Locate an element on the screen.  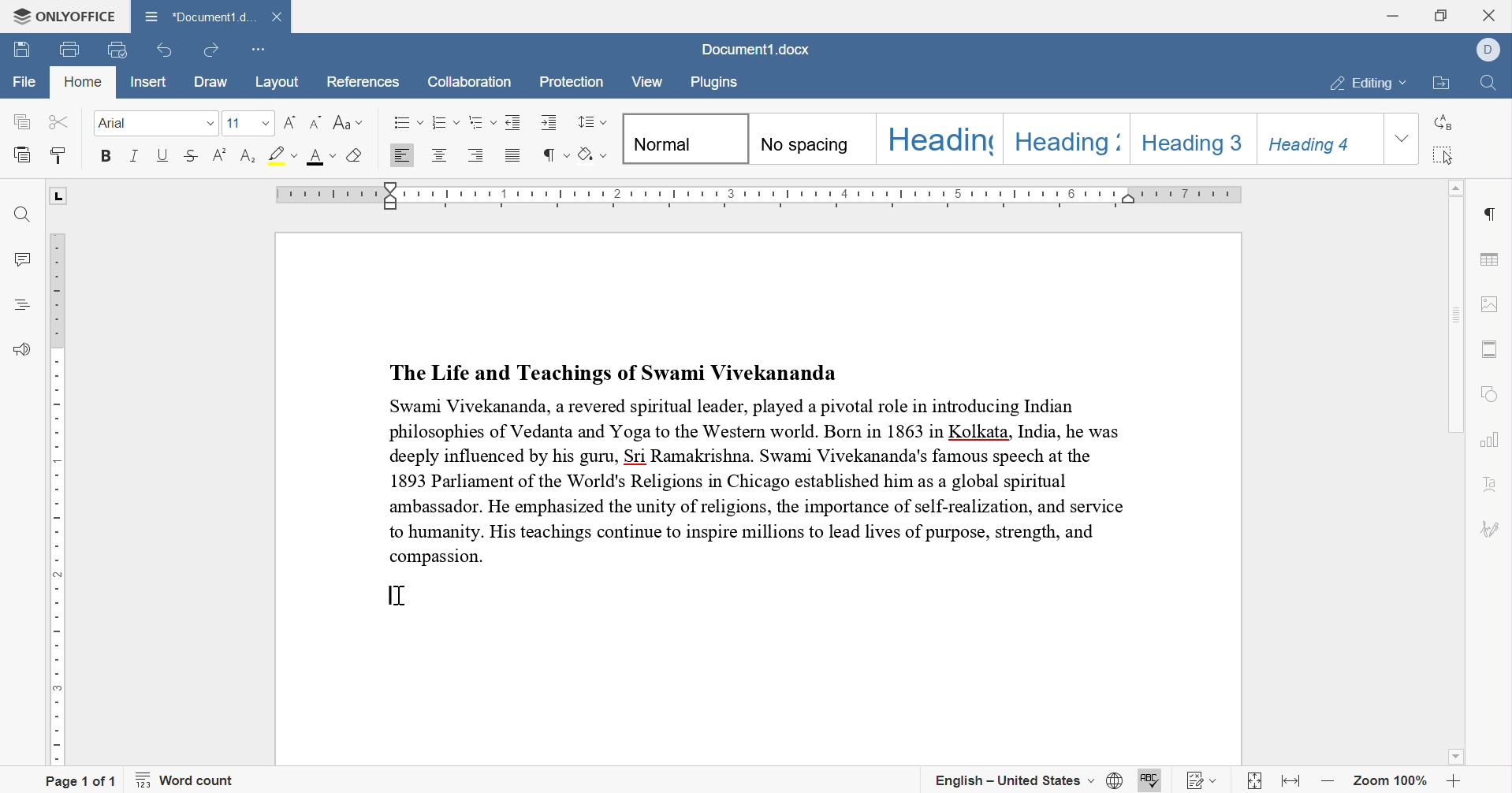
heading  is located at coordinates (1076, 140).